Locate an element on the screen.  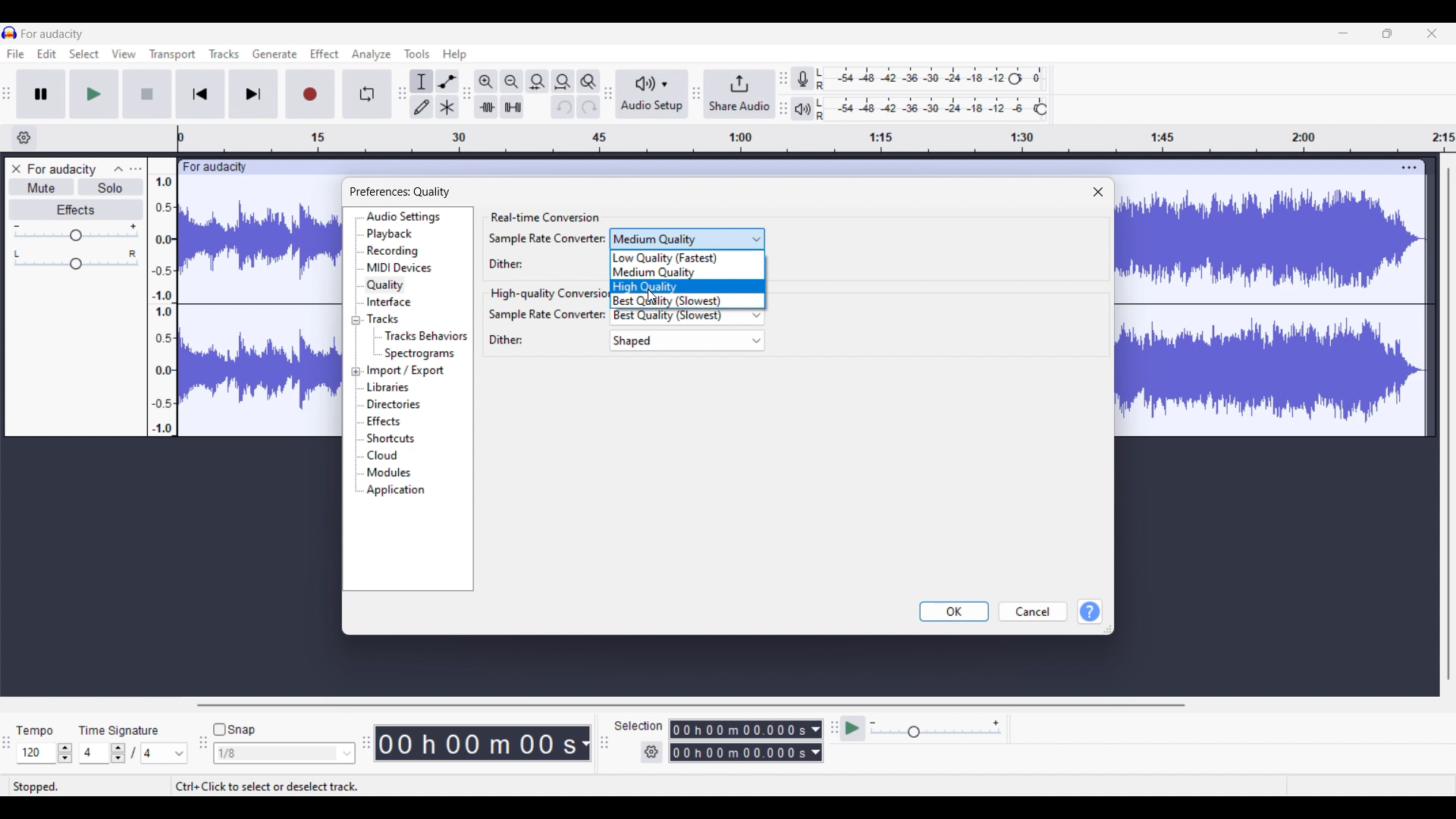
OK is located at coordinates (954, 611).